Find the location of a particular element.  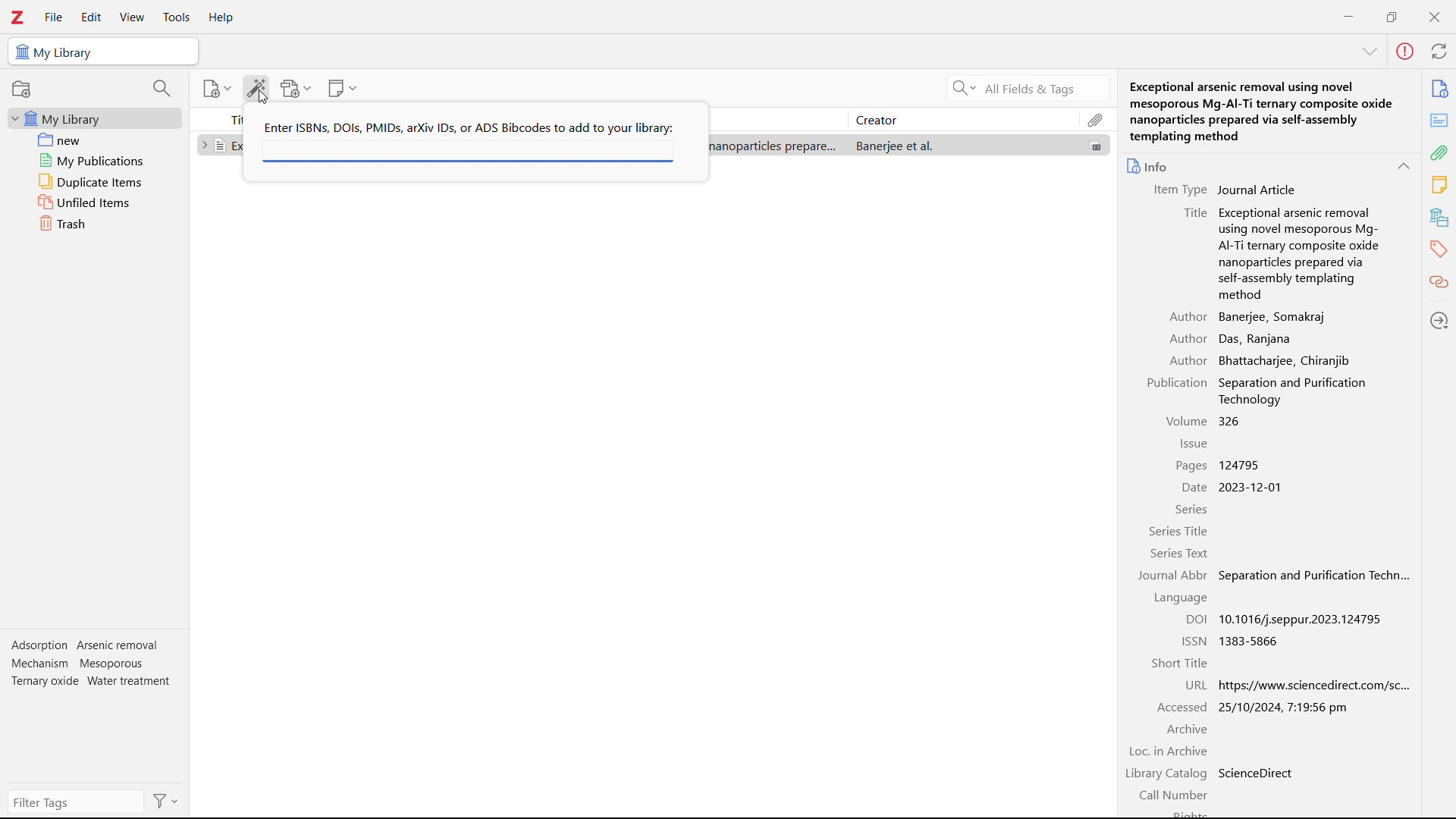

sync with zotero.org is located at coordinates (1439, 50).